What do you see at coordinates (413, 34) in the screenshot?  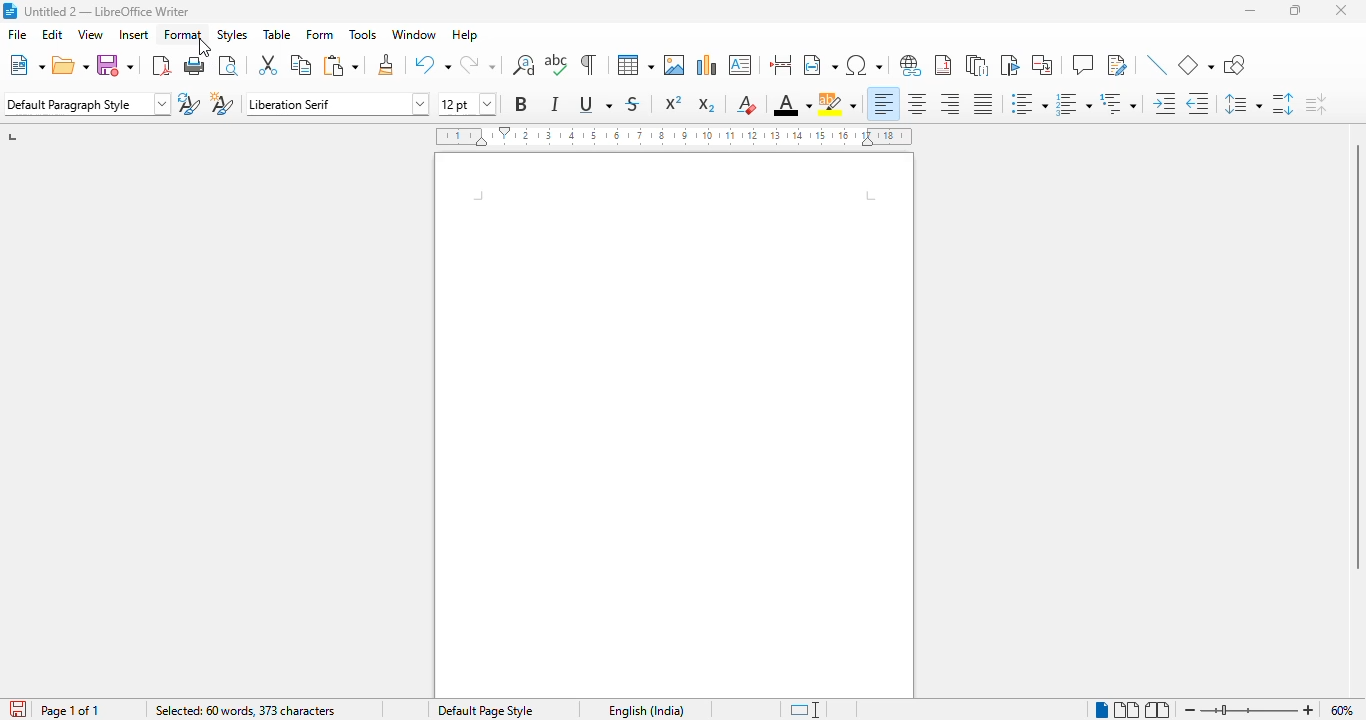 I see `window` at bounding box center [413, 34].